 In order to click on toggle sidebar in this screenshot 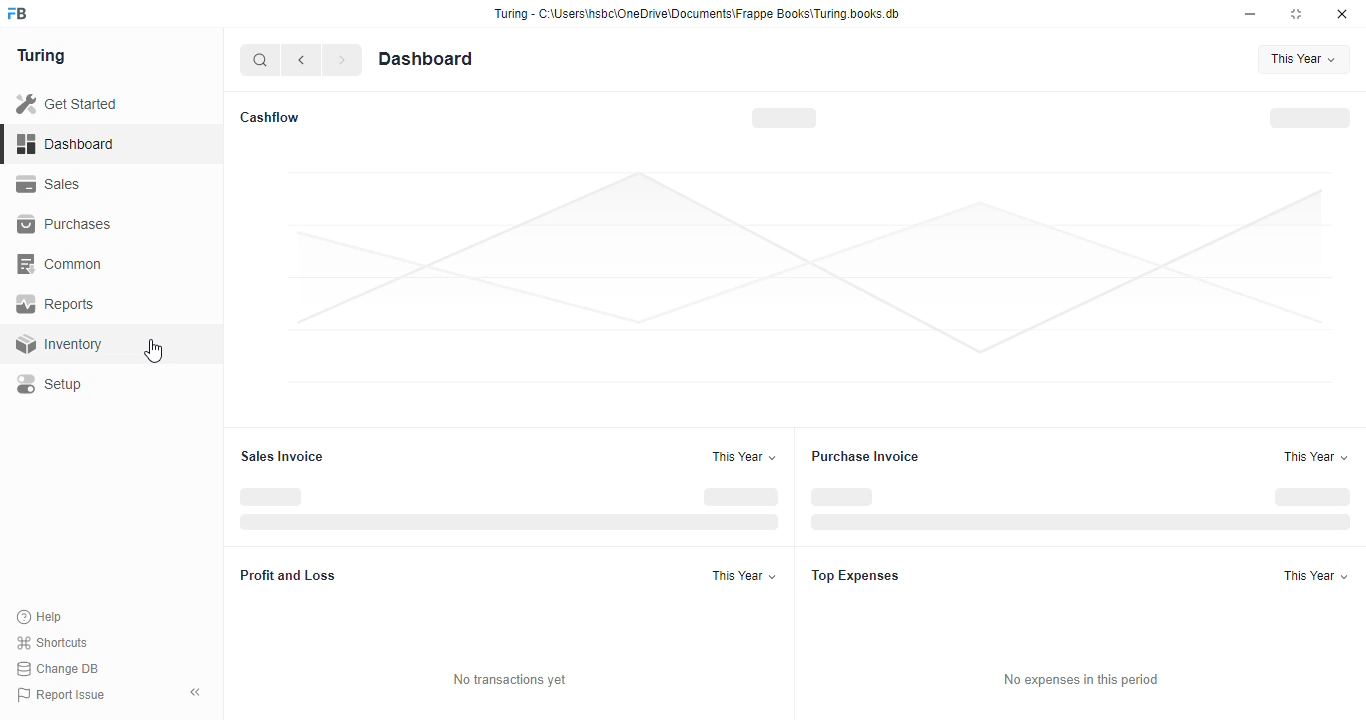, I will do `click(196, 692)`.